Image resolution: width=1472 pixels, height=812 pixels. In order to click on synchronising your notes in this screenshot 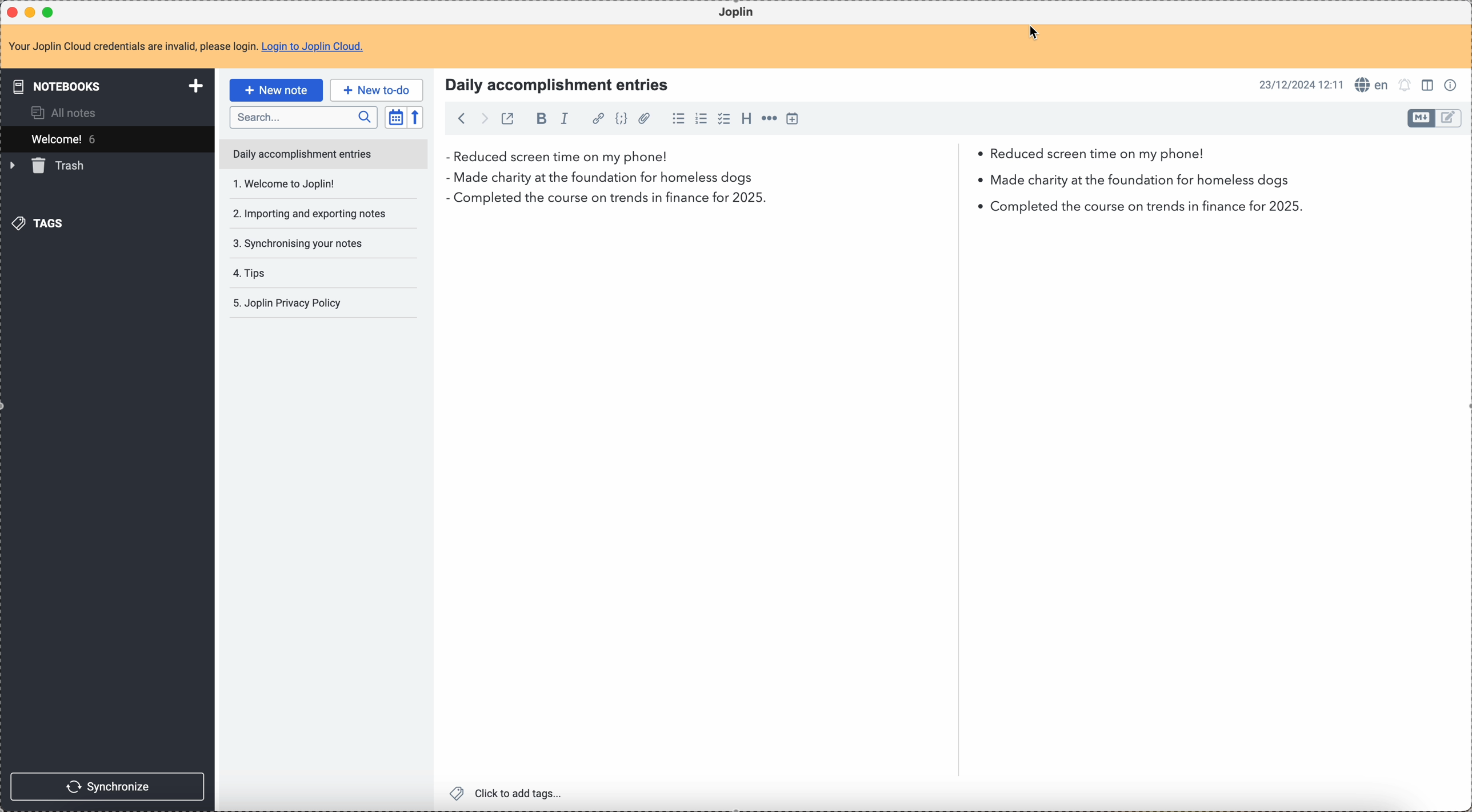, I will do `click(303, 214)`.